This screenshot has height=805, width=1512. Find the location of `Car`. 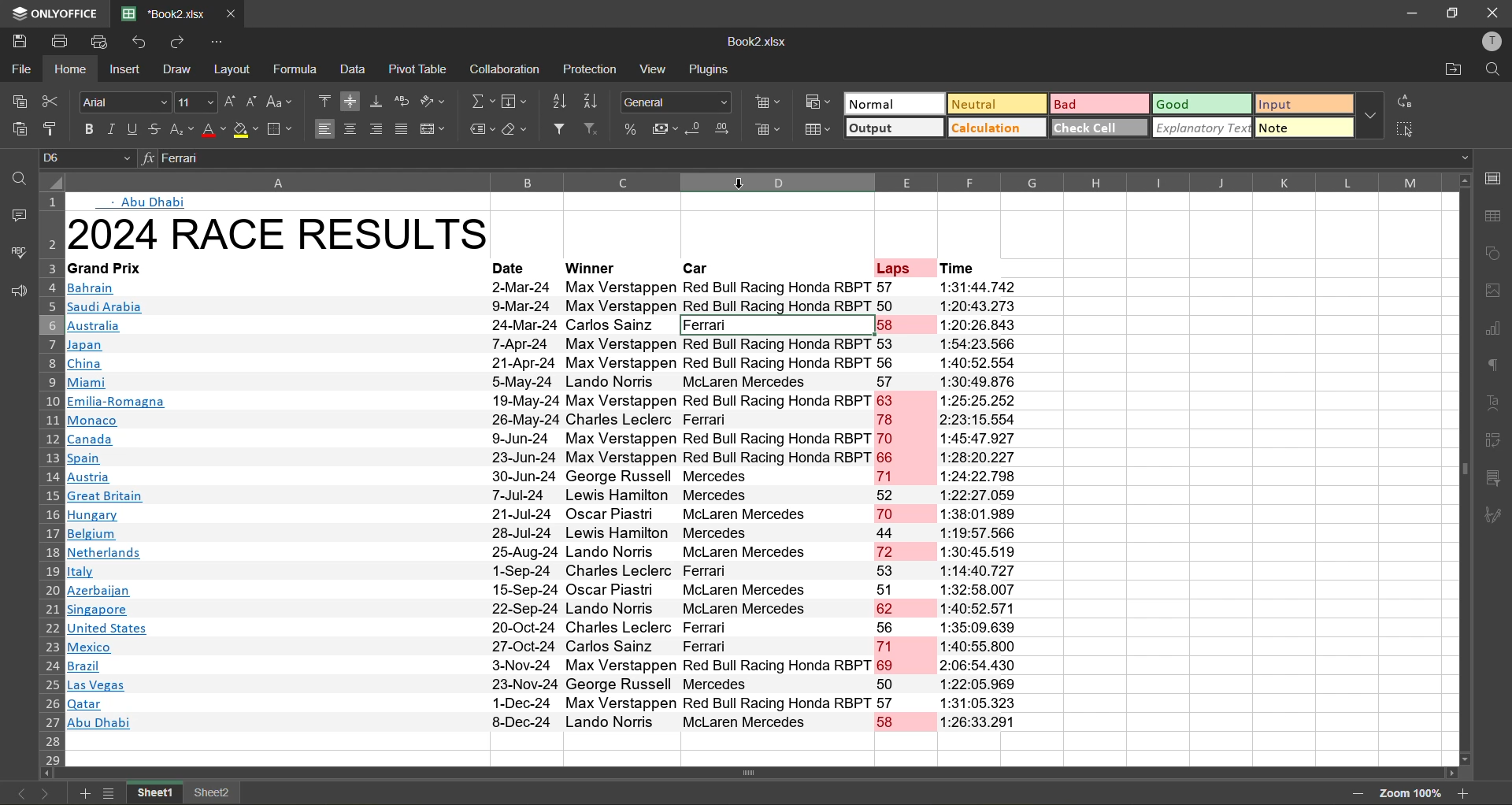

Car is located at coordinates (698, 269).